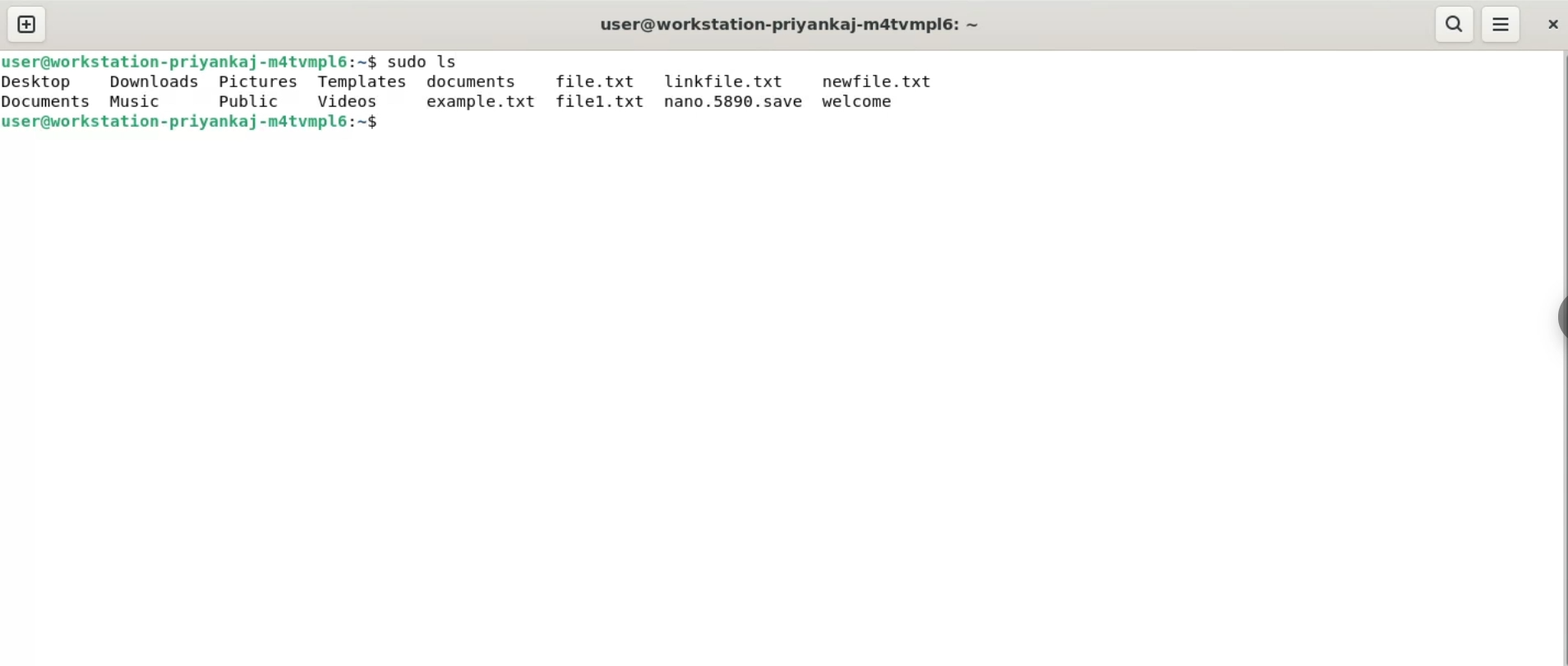  Describe the element at coordinates (39, 82) in the screenshot. I see `desktop` at that location.